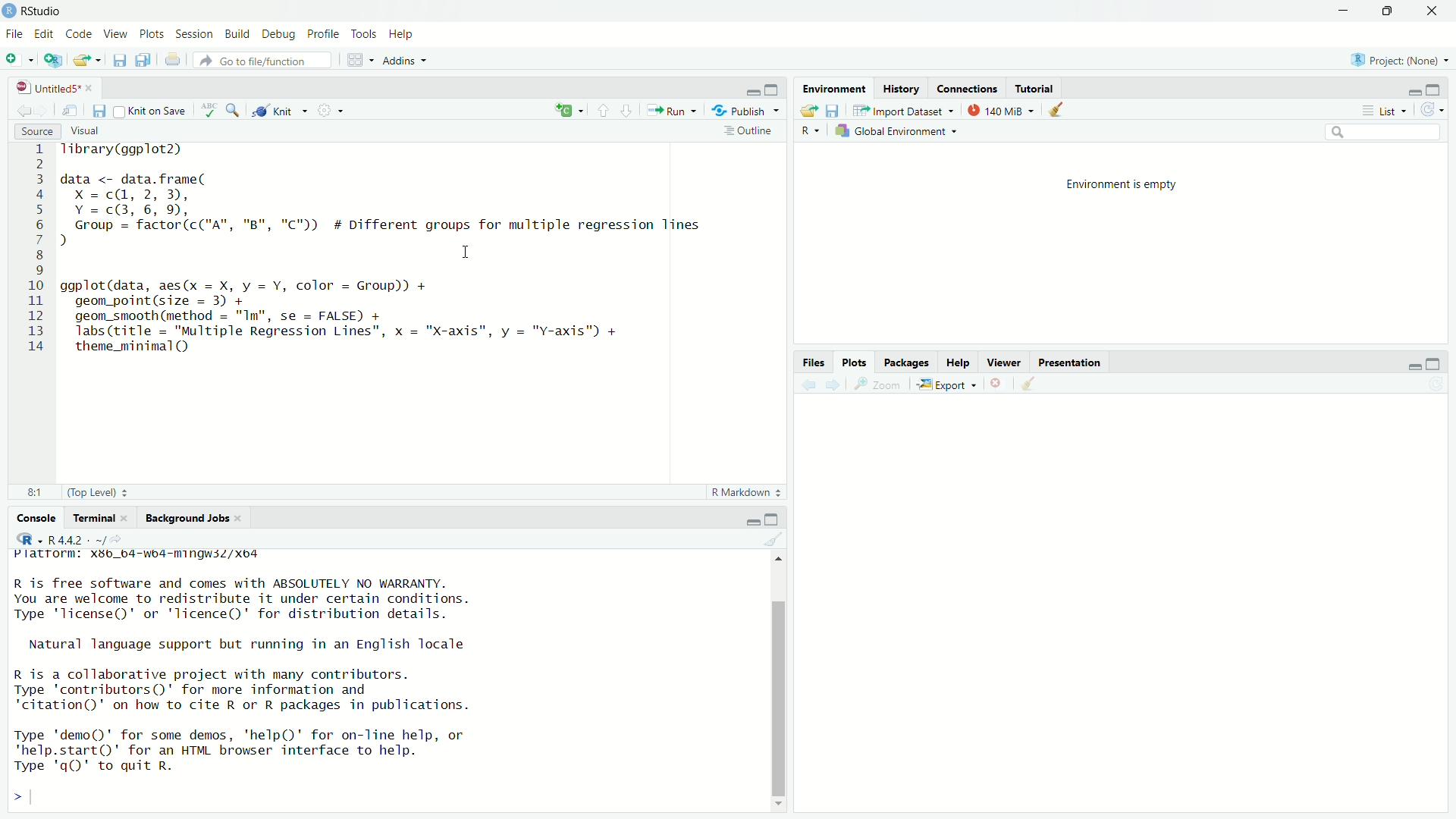 This screenshot has height=819, width=1456. Describe the element at coordinates (773, 88) in the screenshot. I see `maximise` at that location.